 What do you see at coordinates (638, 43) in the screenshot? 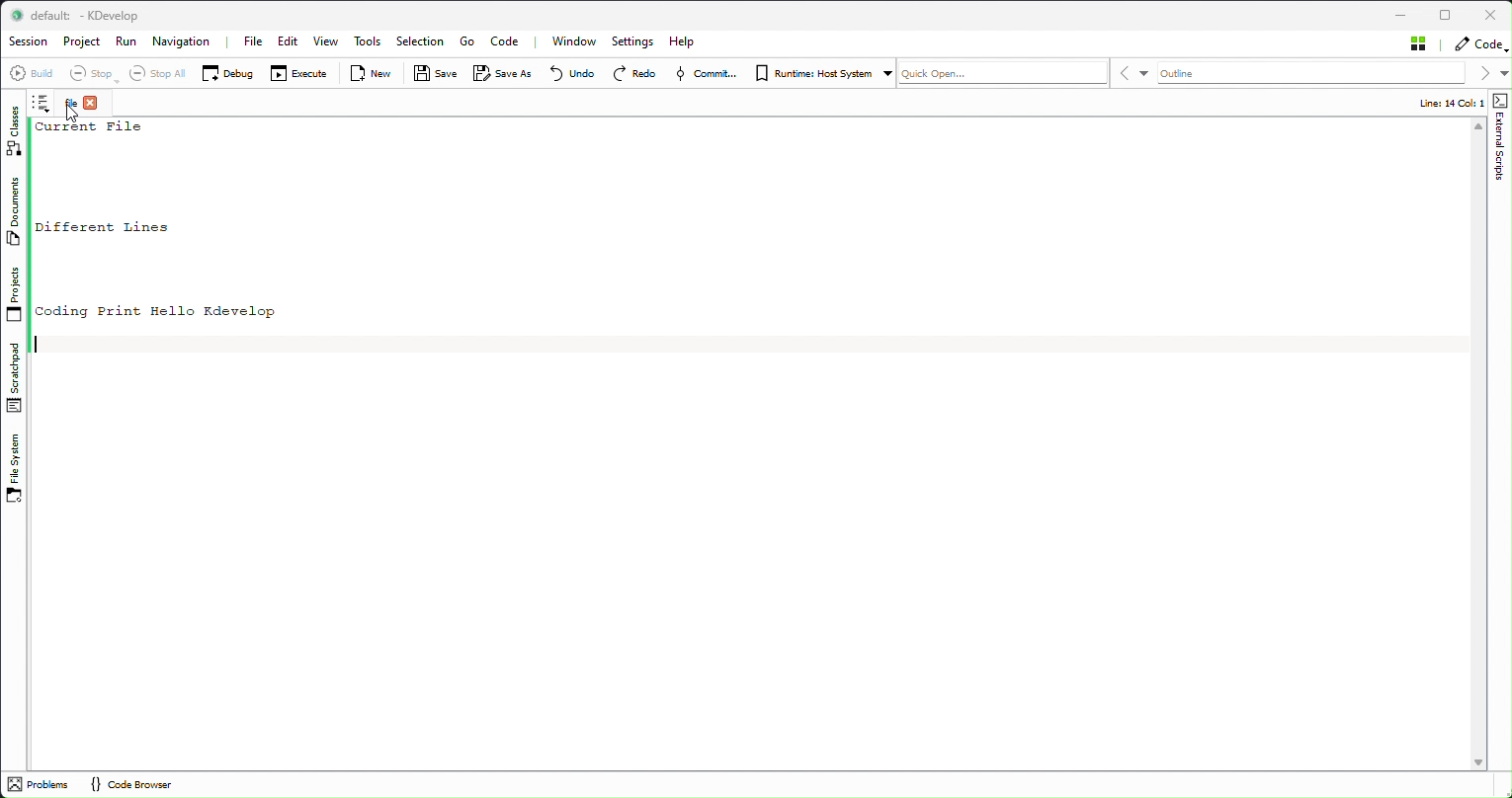
I see `Settings` at bounding box center [638, 43].